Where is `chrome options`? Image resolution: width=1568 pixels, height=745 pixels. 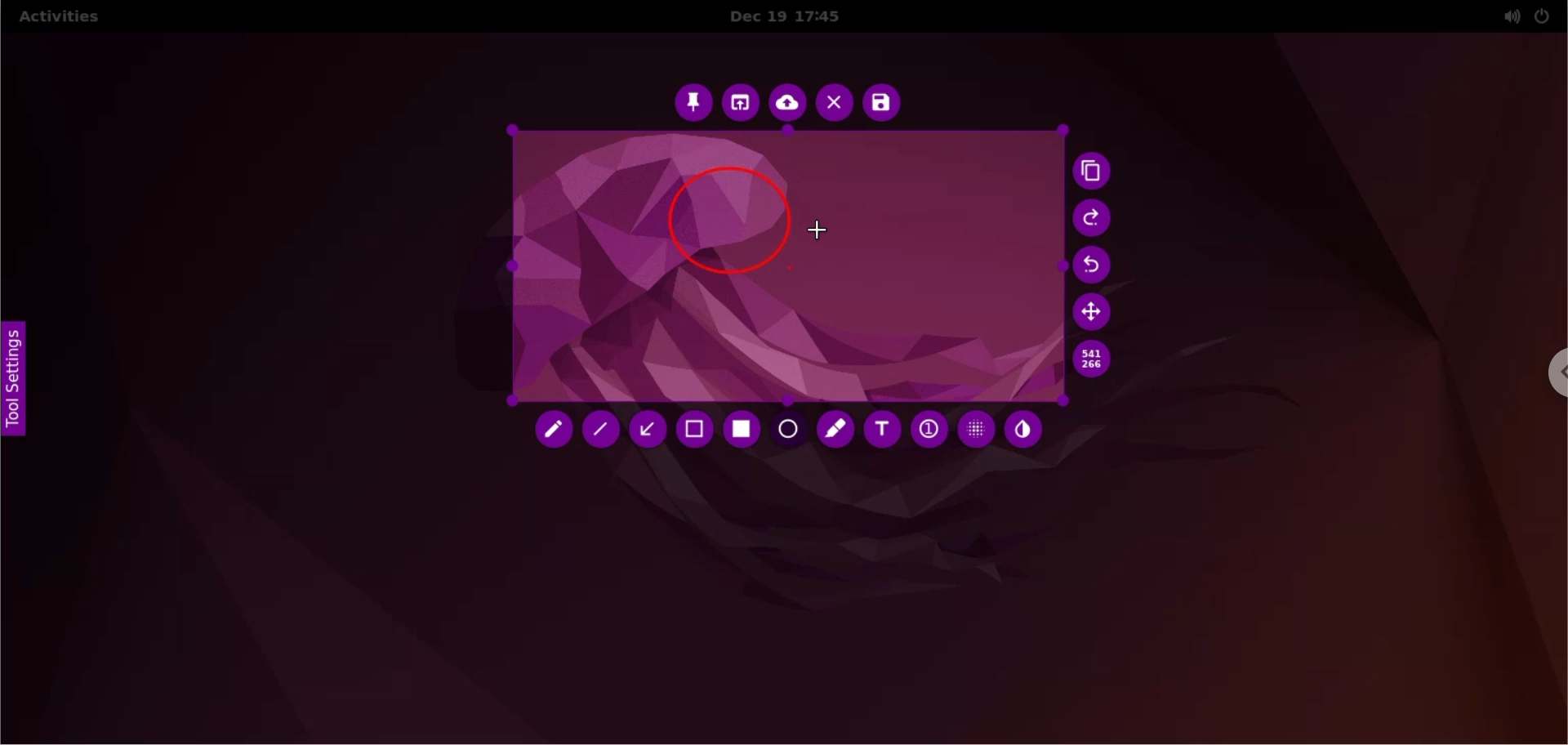
chrome options is located at coordinates (1548, 377).